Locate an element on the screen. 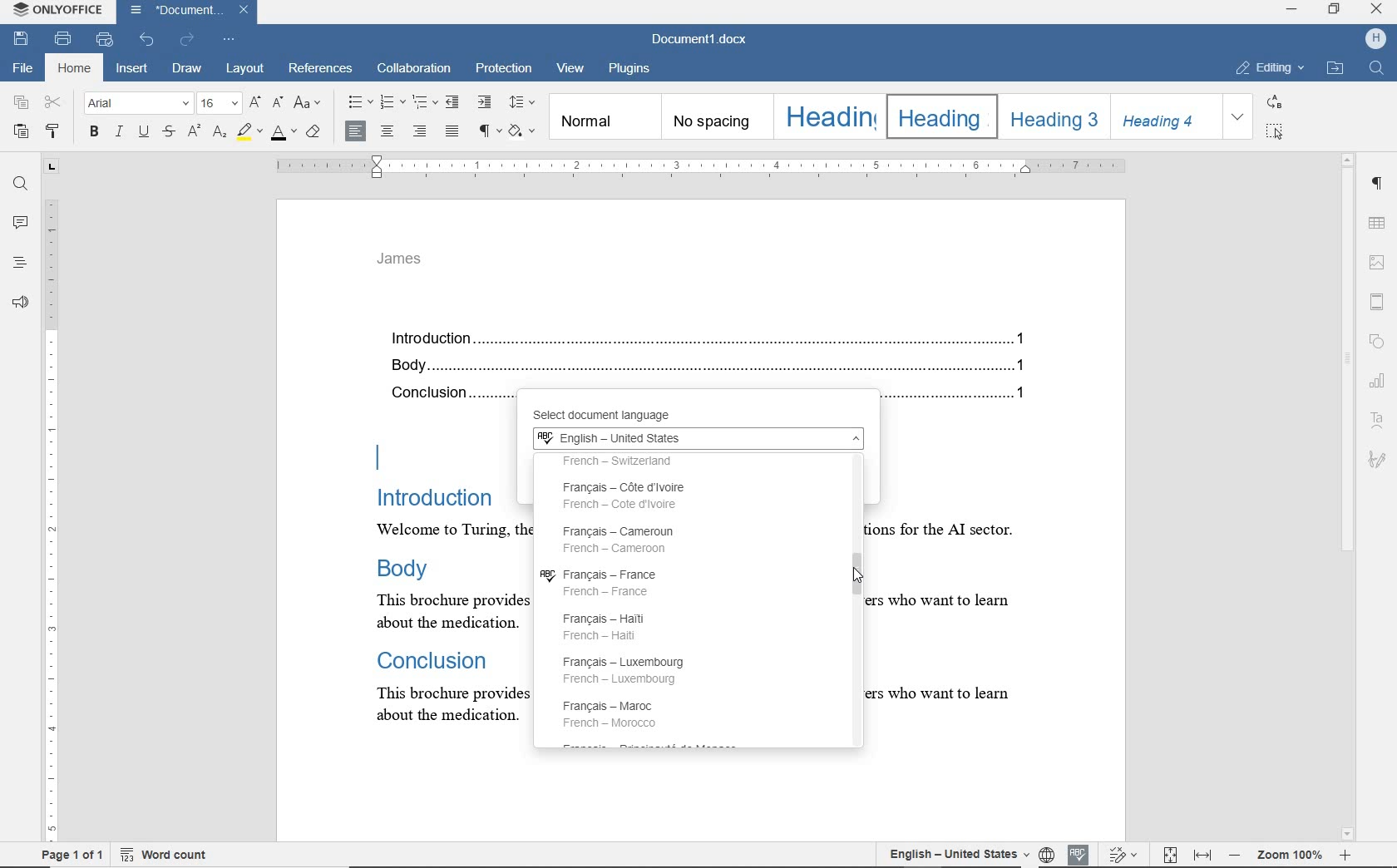  multilevel list is located at coordinates (423, 101).